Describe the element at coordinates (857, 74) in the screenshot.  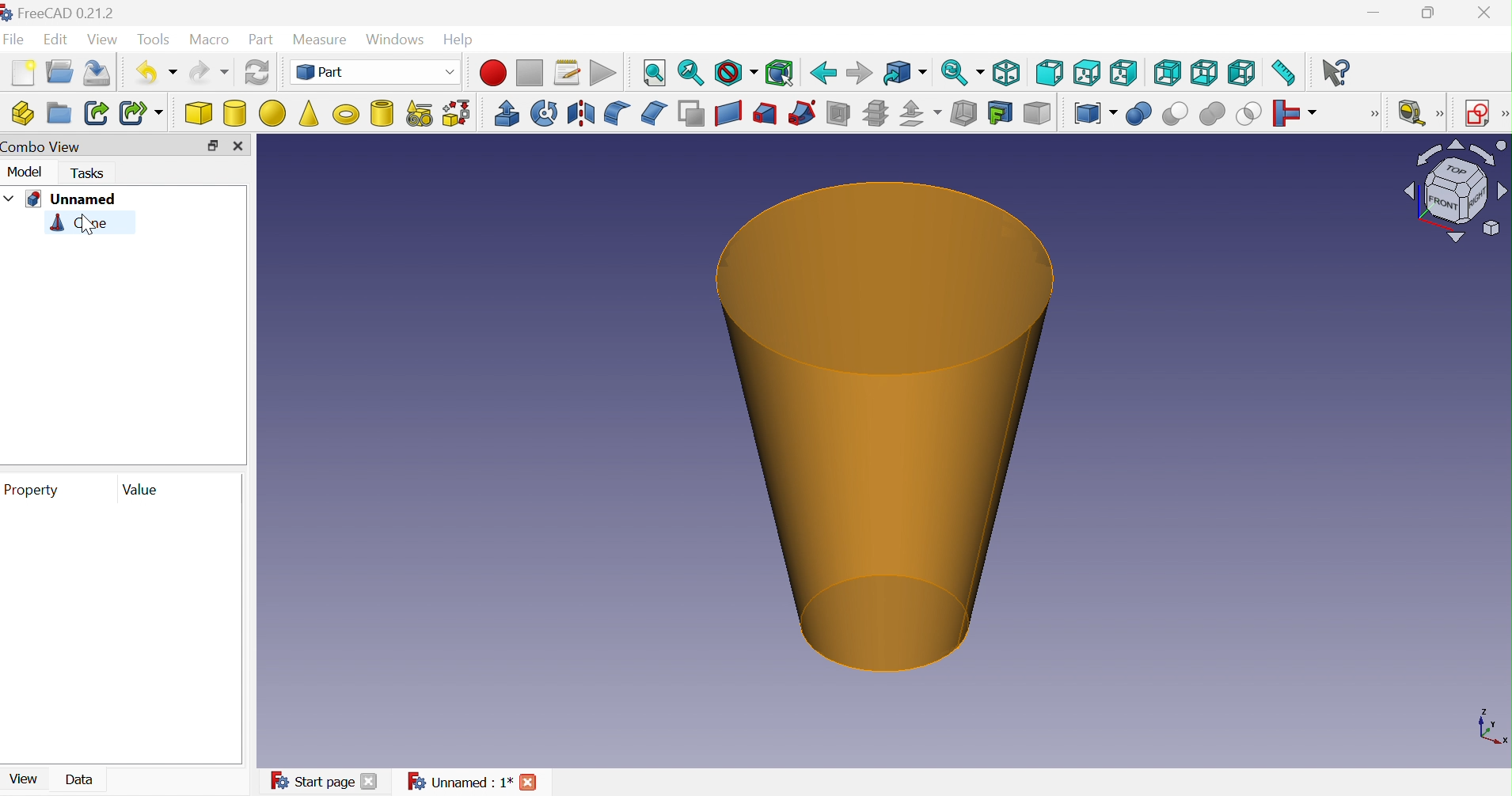
I see `Forward` at that location.